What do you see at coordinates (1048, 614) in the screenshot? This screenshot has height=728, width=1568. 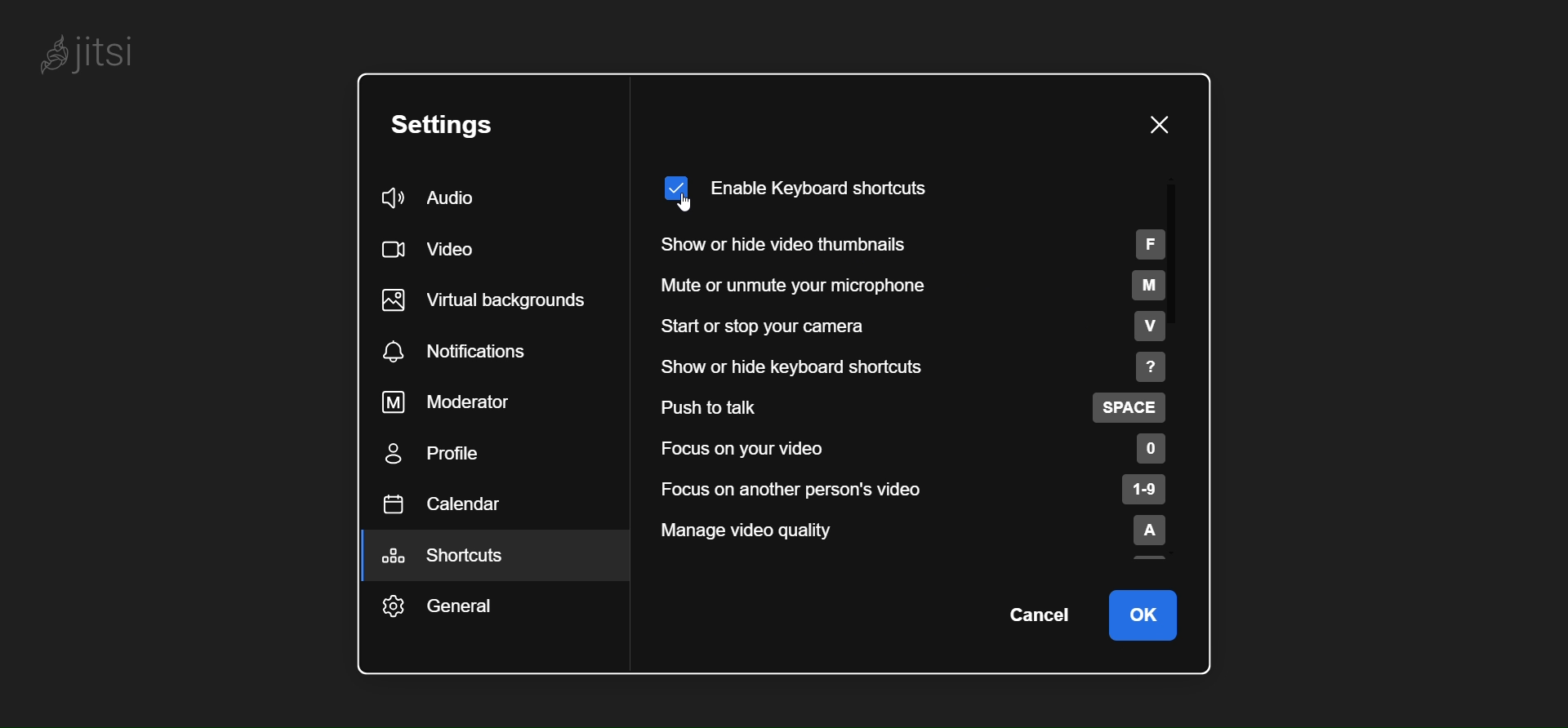 I see `cancel` at bounding box center [1048, 614].